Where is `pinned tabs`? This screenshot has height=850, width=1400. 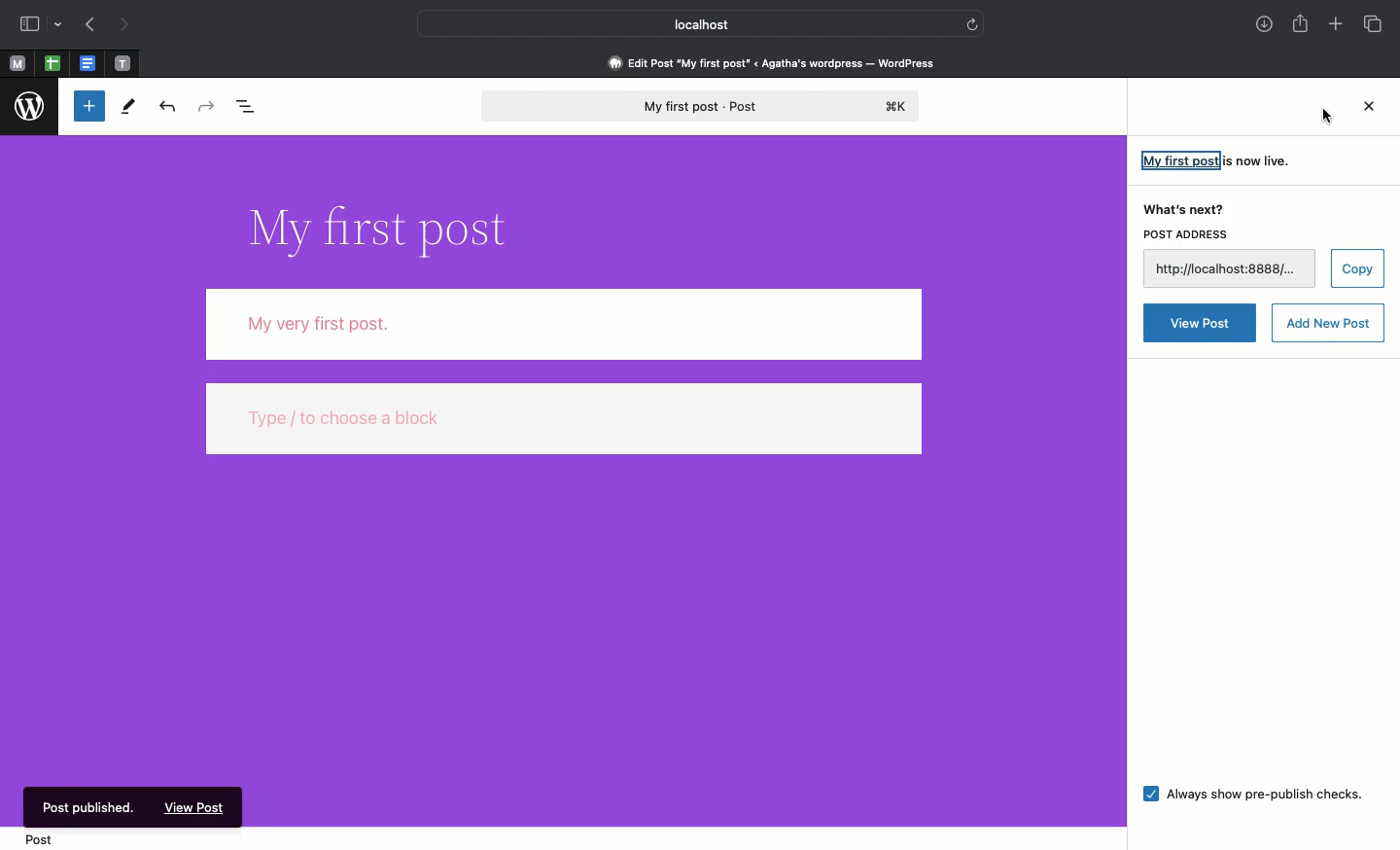
pinned tabs is located at coordinates (55, 64).